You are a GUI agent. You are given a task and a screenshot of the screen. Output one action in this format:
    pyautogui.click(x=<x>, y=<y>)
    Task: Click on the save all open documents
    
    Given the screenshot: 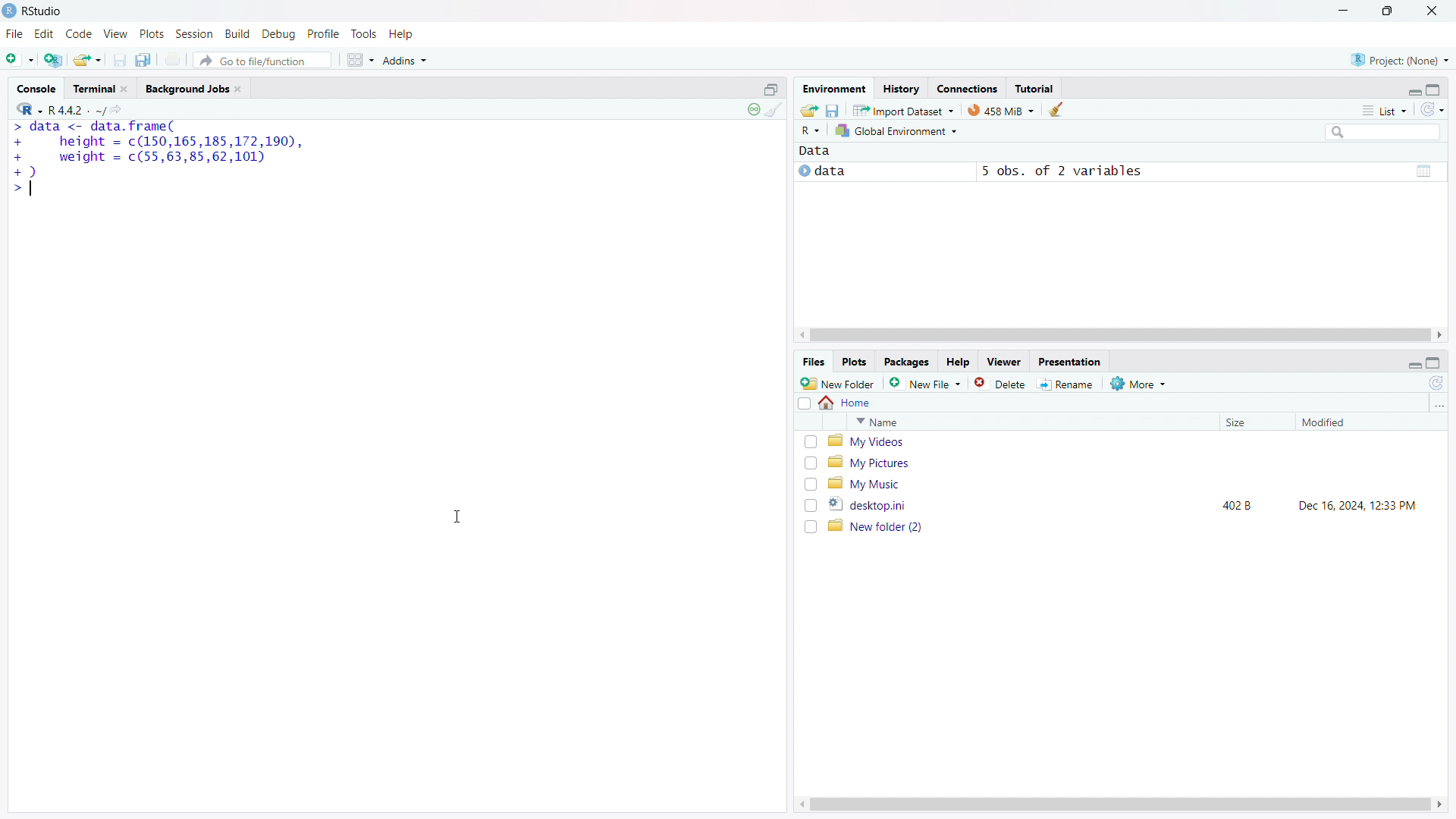 What is the action you would take?
    pyautogui.click(x=146, y=59)
    